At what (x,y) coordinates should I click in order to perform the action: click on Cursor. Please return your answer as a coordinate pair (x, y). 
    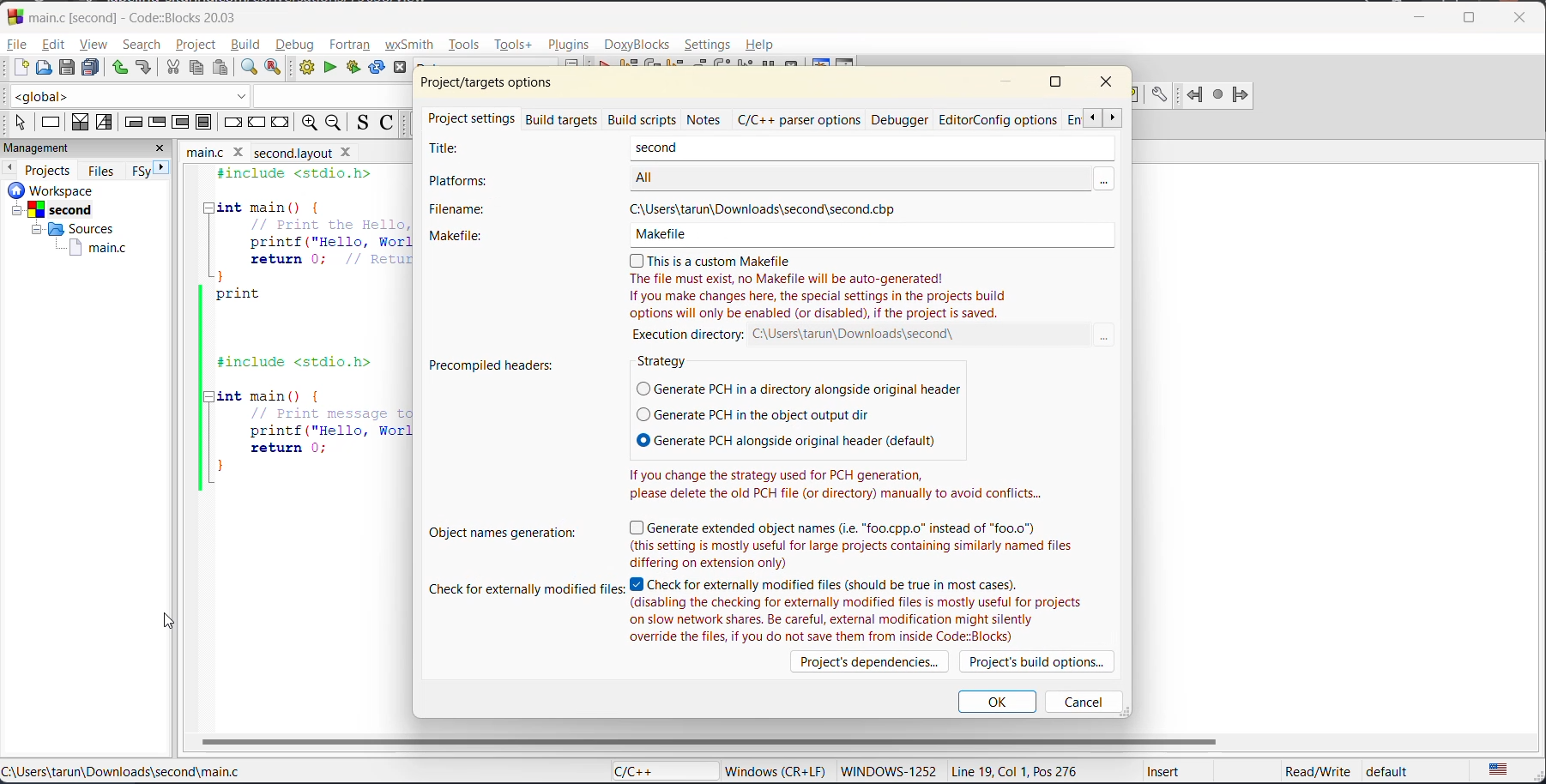
    Looking at the image, I should click on (175, 623).